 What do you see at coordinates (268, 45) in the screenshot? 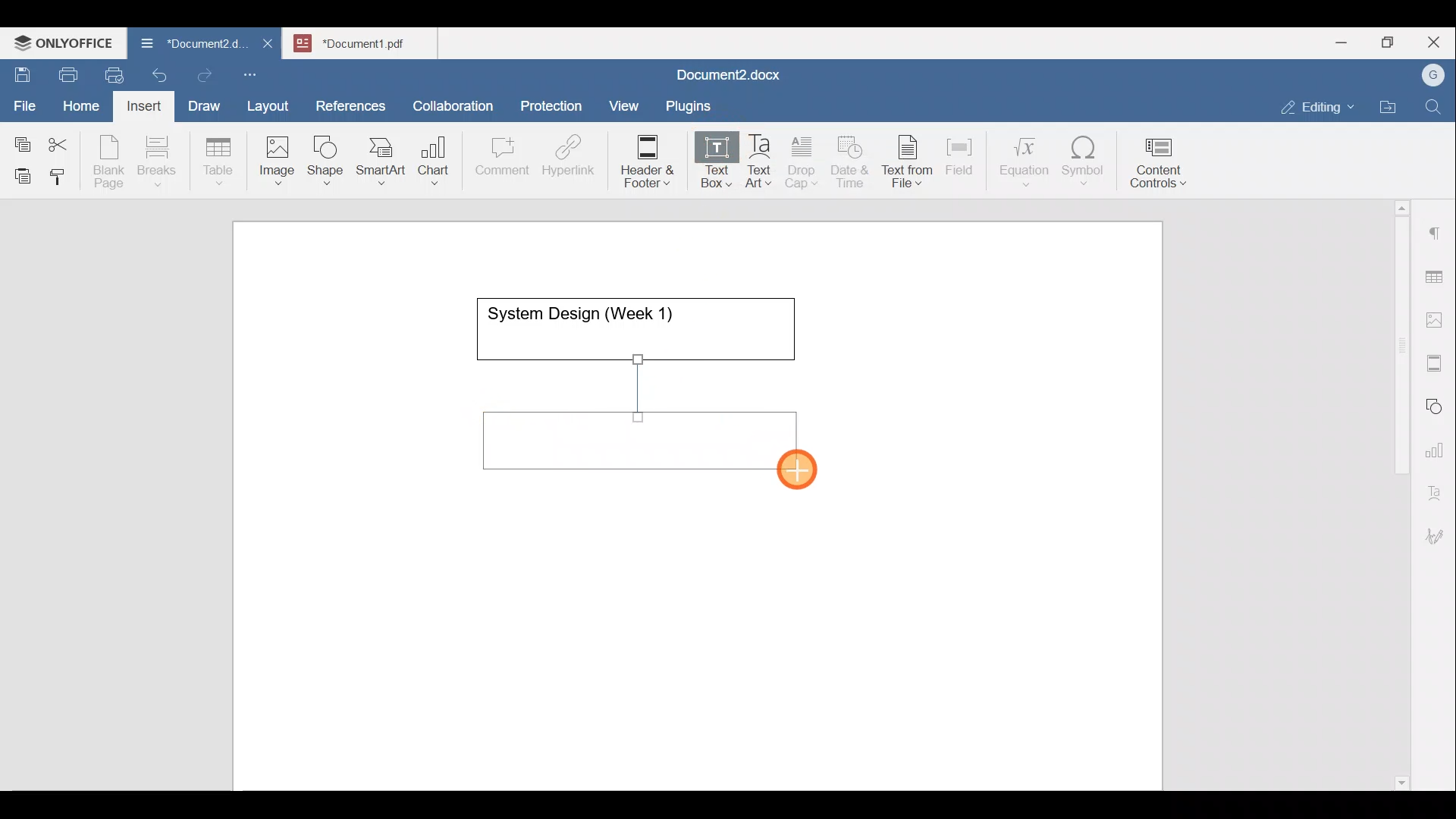
I see `Close document` at bounding box center [268, 45].